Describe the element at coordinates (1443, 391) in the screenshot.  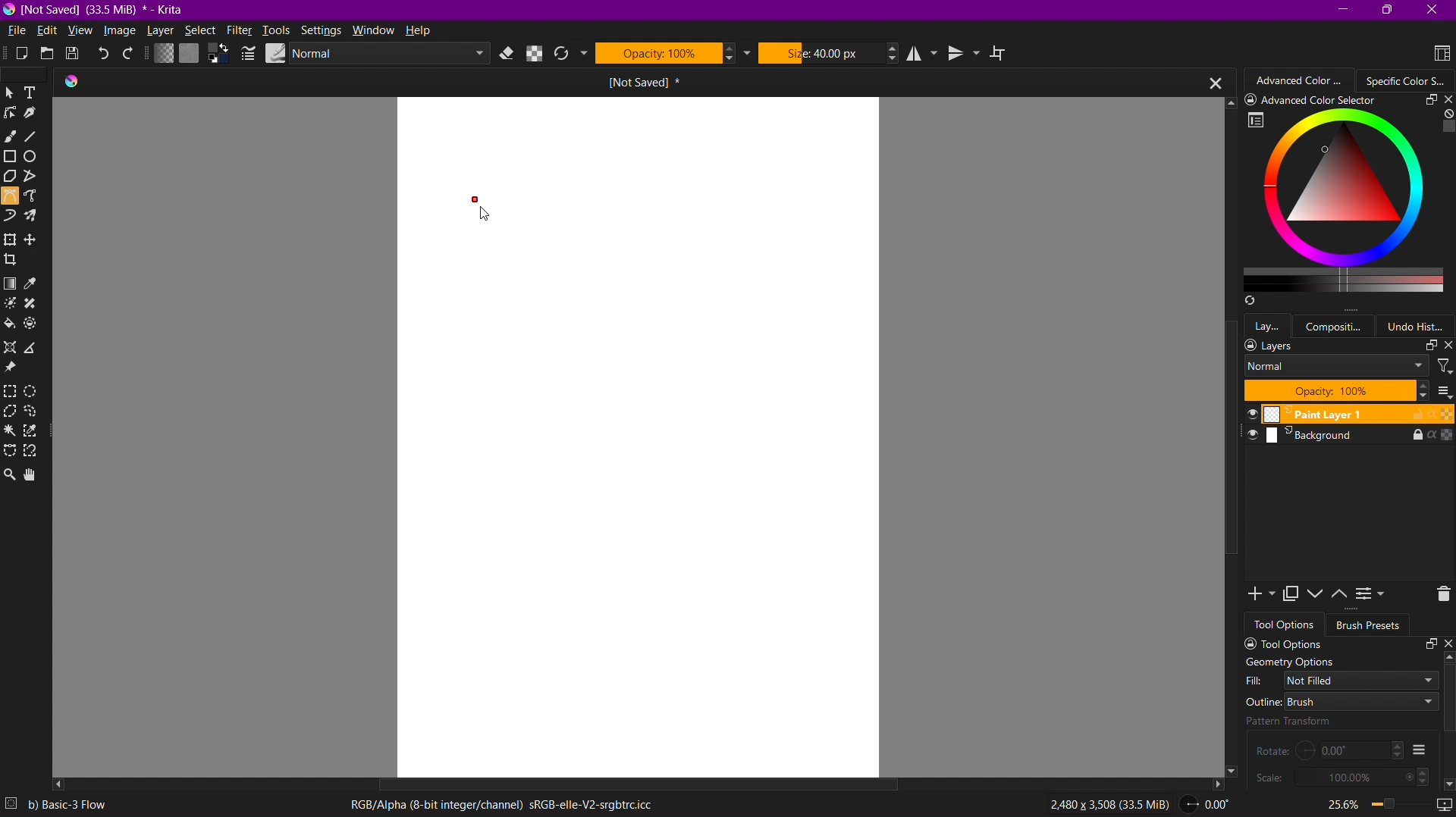
I see `Thumbnail Settings` at that location.